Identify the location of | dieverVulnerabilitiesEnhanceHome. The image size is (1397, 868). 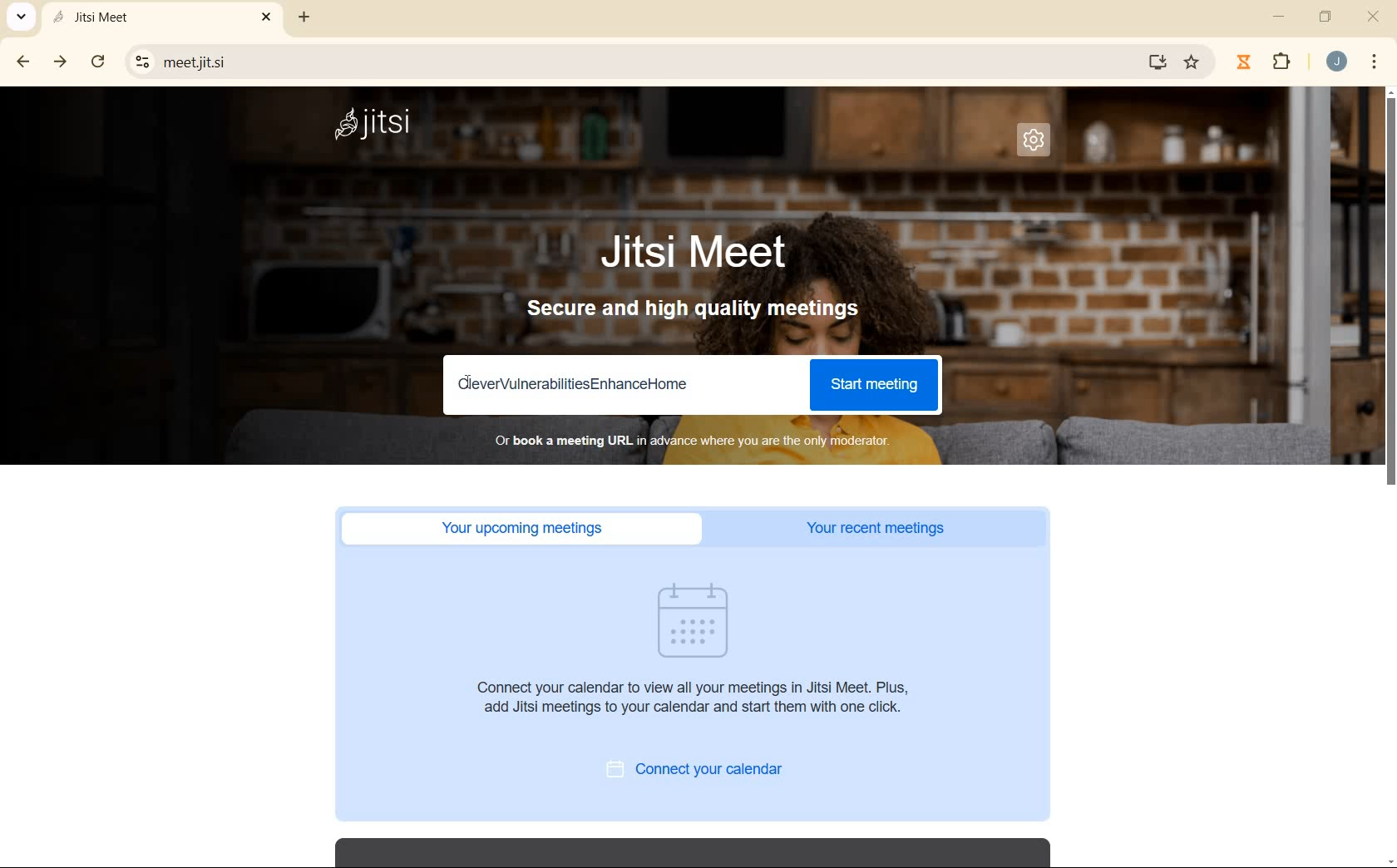
(595, 385).